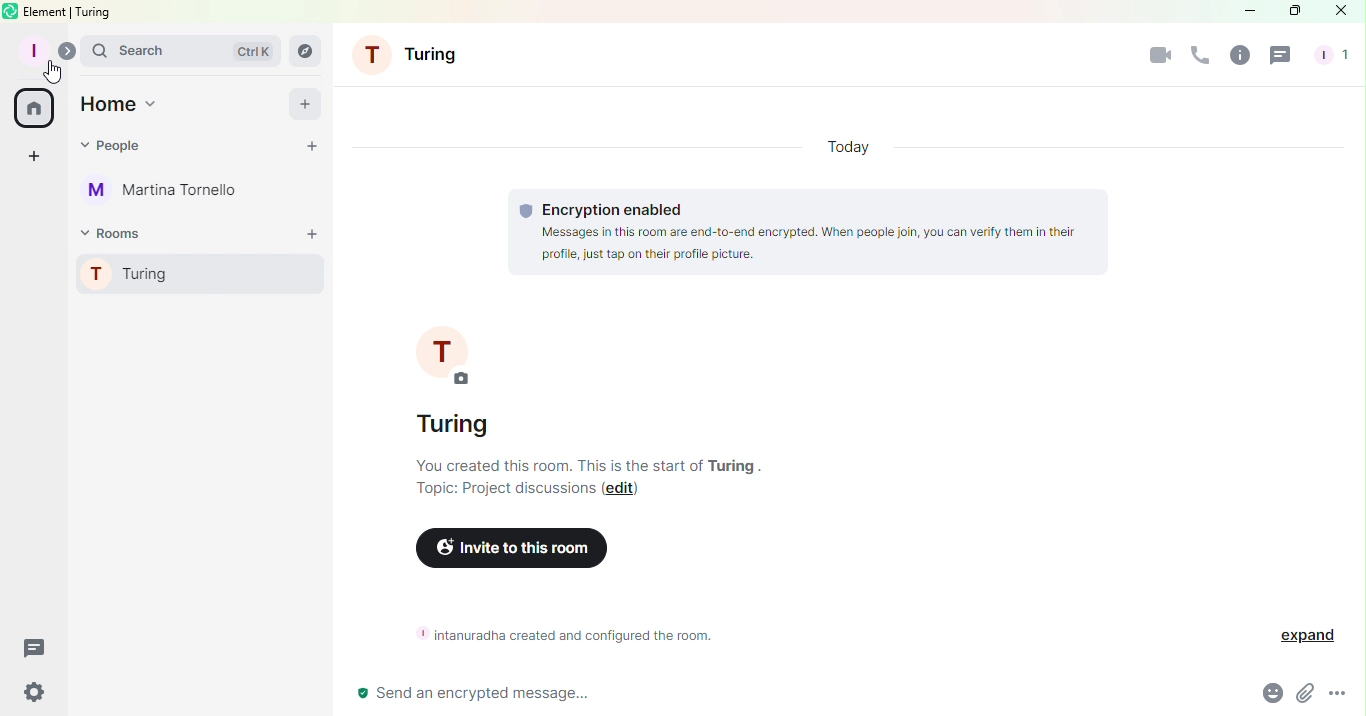  What do you see at coordinates (1154, 57) in the screenshot?
I see `Video call` at bounding box center [1154, 57].